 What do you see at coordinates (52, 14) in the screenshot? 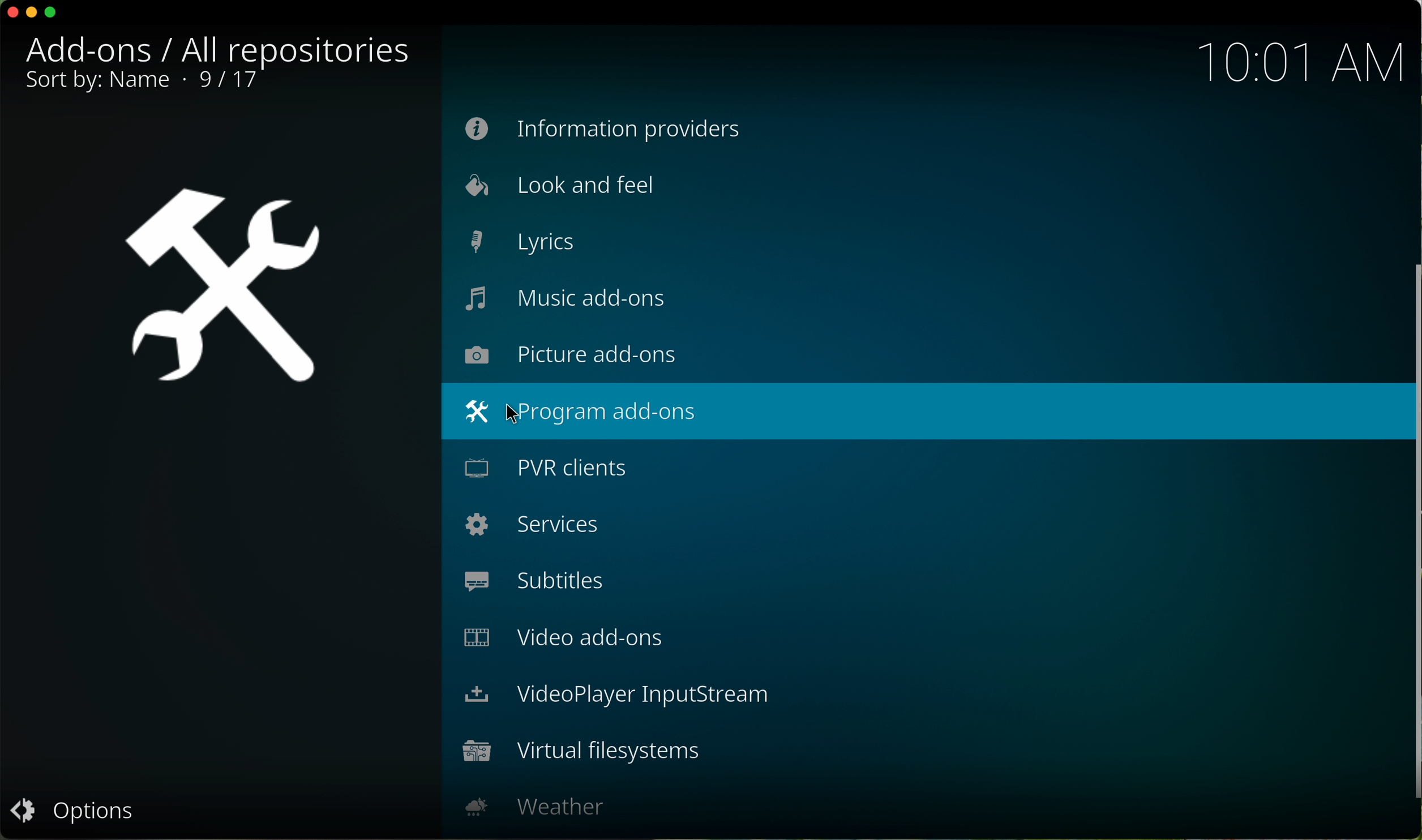
I see `maximize` at bounding box center [52, 14].